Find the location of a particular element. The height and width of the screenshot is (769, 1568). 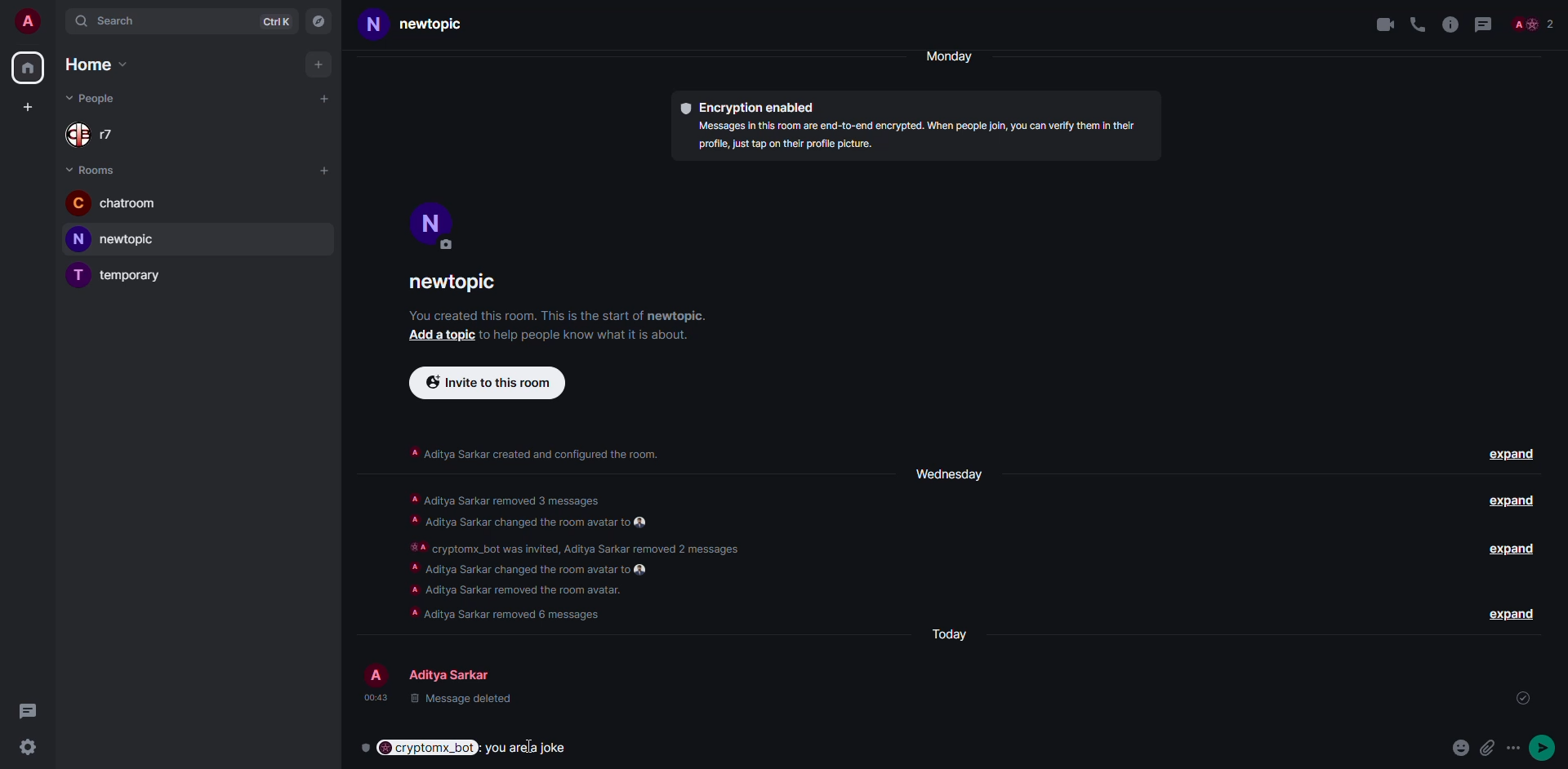

info is located at coordinates (557, 315).